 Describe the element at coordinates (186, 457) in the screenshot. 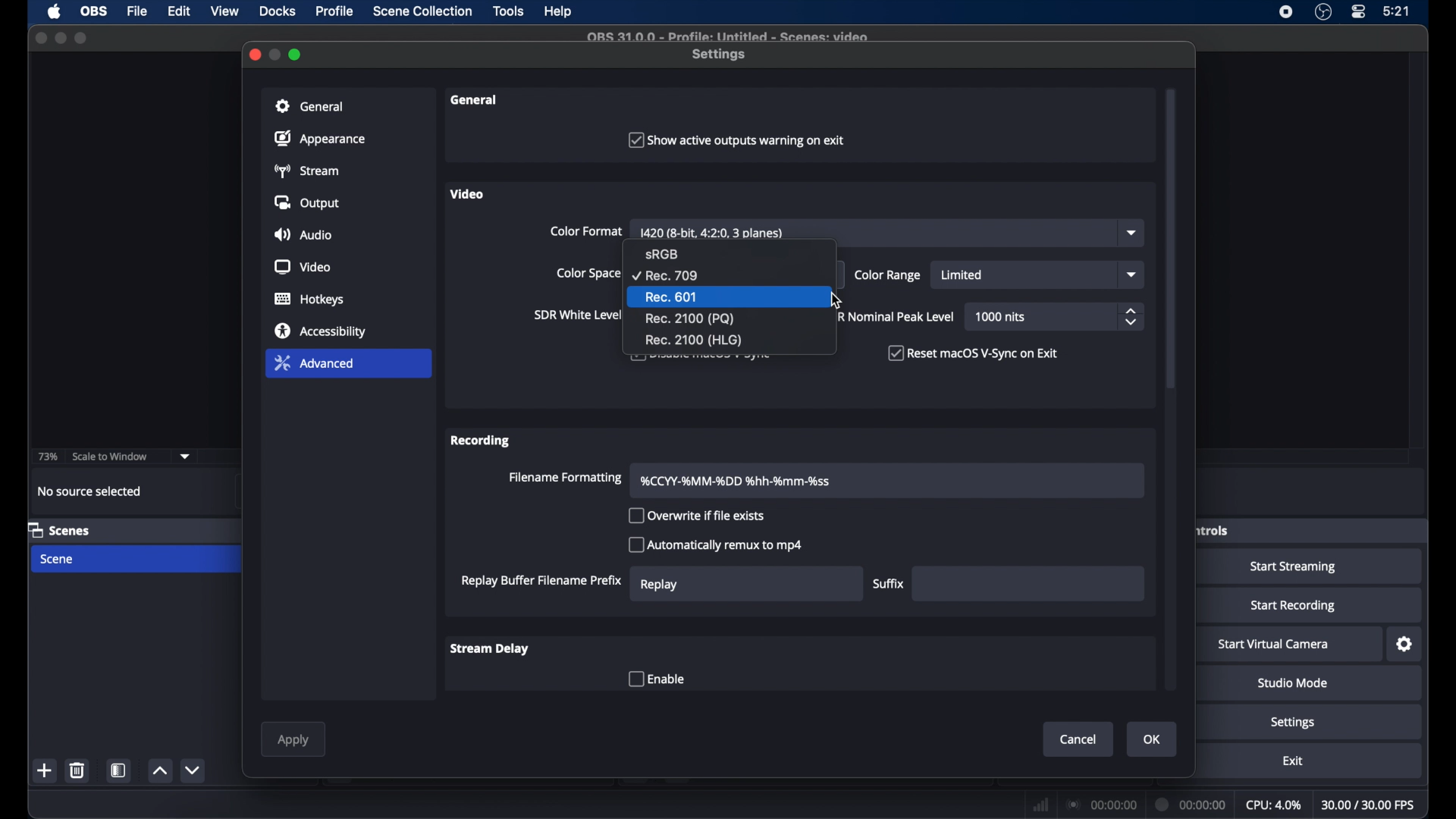

I see `dropdown` at that location.